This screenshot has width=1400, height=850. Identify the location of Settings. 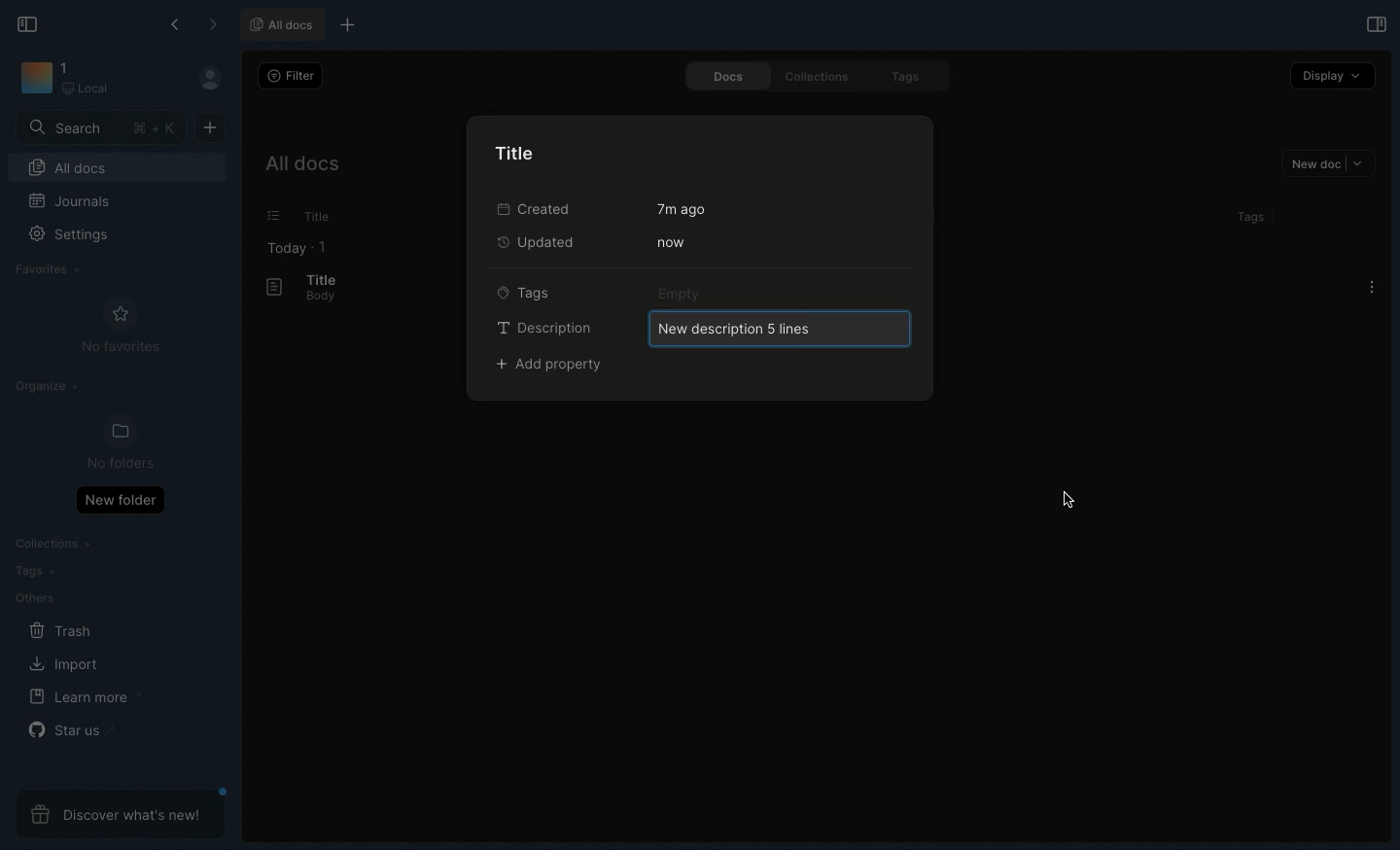
(80, 241).